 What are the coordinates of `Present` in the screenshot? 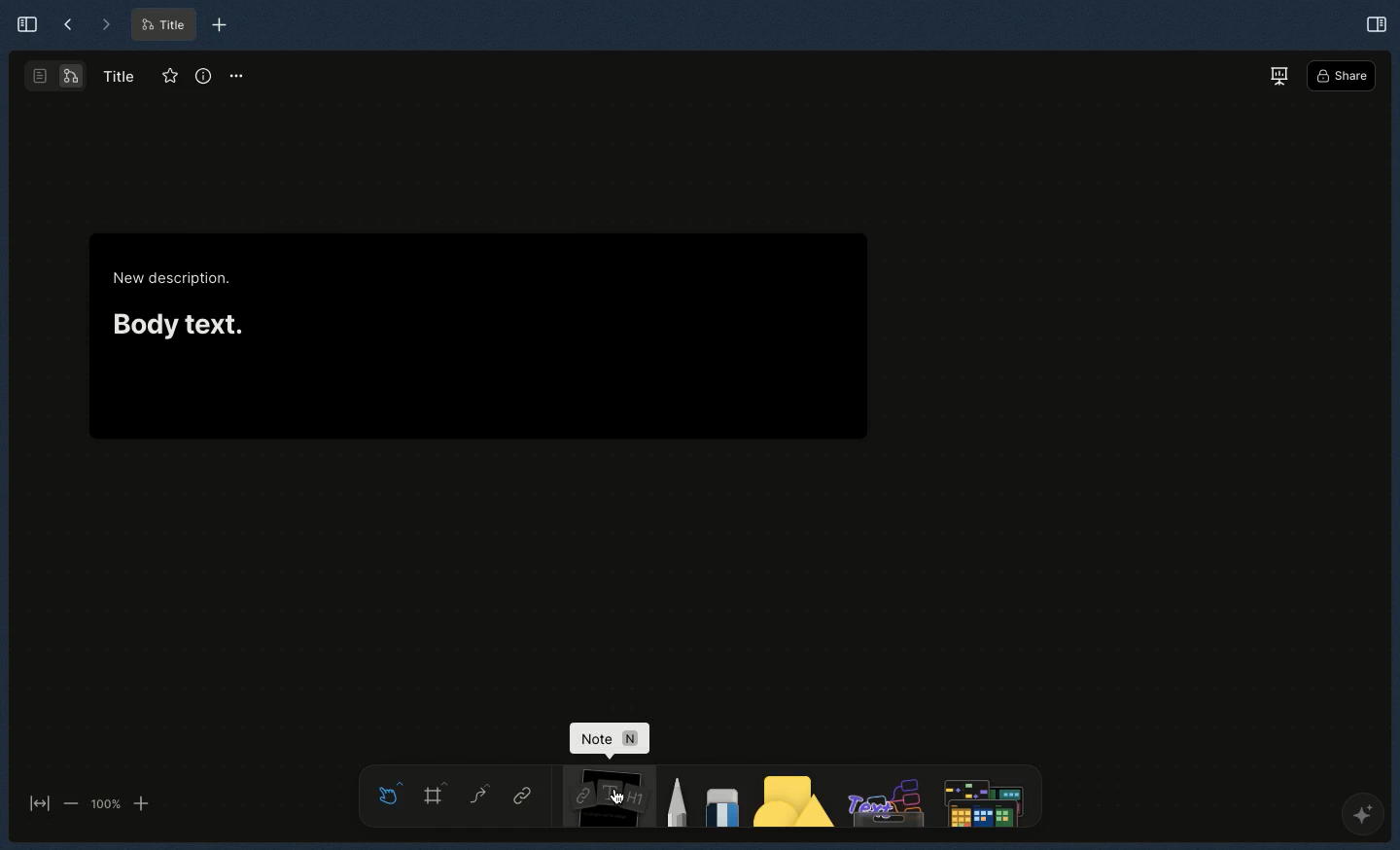 It's located at (1278, 75).